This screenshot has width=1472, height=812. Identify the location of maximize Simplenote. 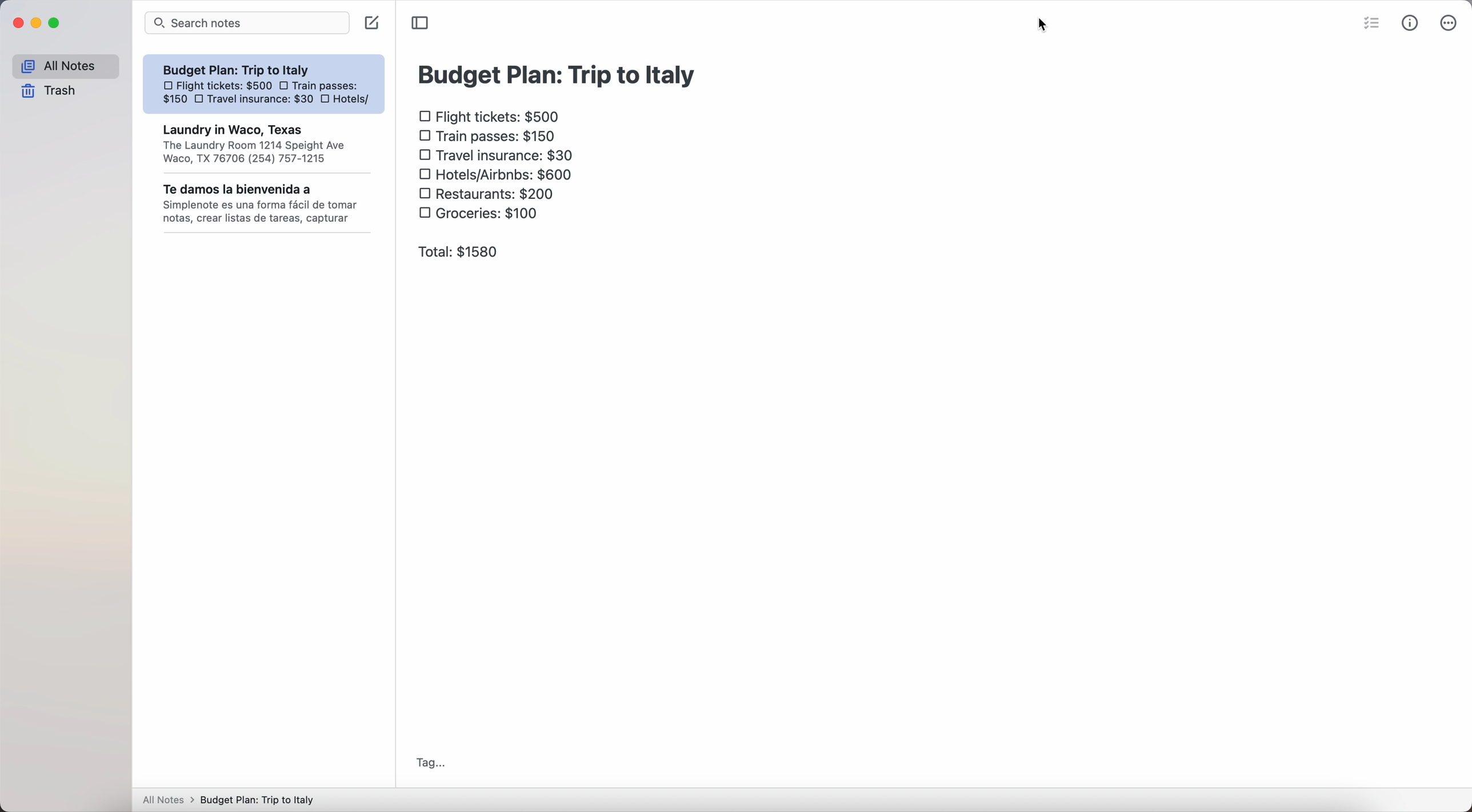
(55, 23).